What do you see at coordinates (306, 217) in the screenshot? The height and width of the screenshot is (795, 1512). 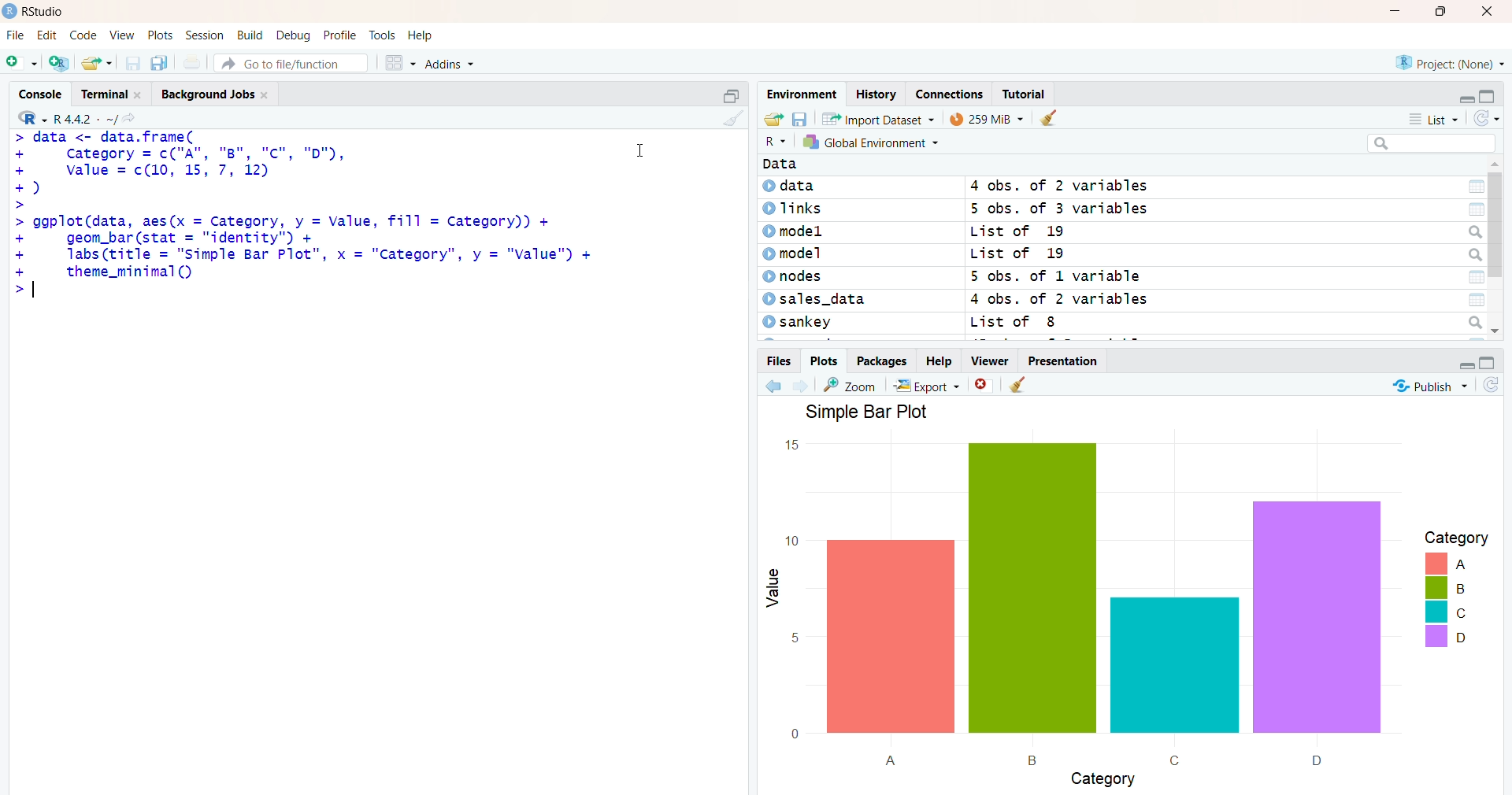 I see `code - > data <- data.frame(+ category = c("A", "B", "Cc", "D"),+ value = c(10 12)© asic>> ggplot(data, aes(x = Category, y = Value, fill = category))` at bounding box center [306, 217].